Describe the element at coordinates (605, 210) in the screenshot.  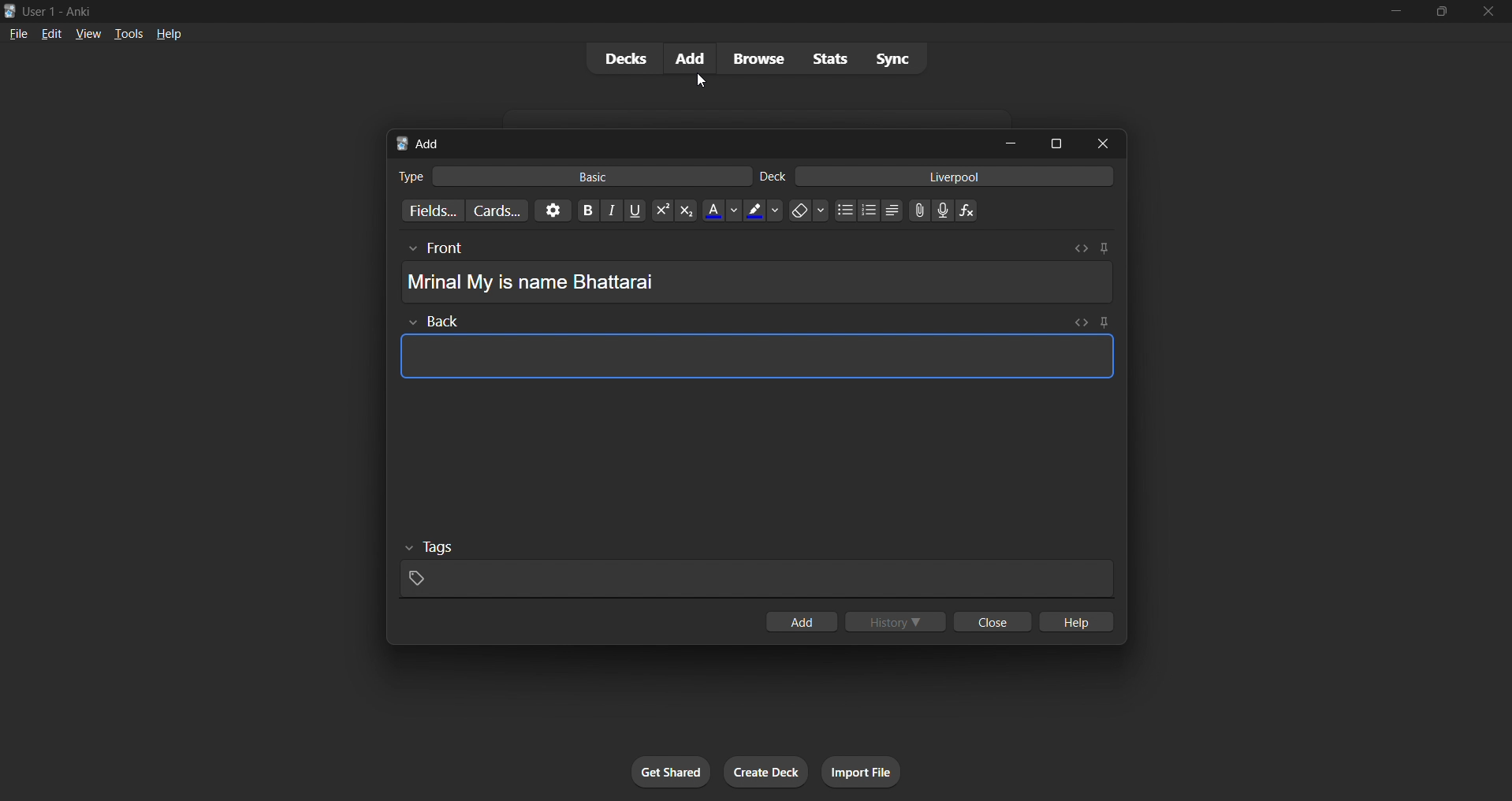
I see `italic` at that location.